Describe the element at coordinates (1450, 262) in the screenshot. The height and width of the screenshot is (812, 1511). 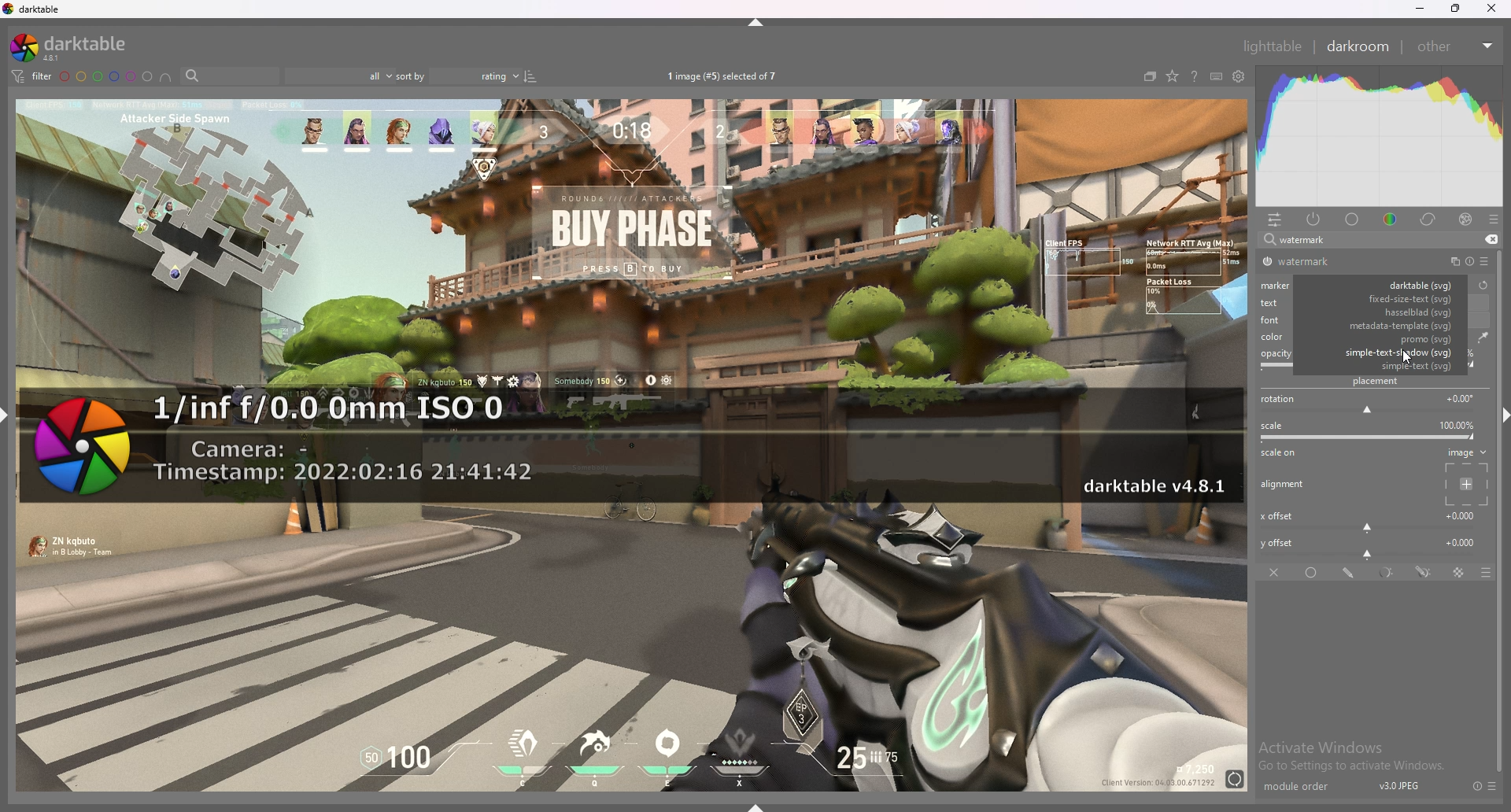
I see `multiple instances action` at that location.